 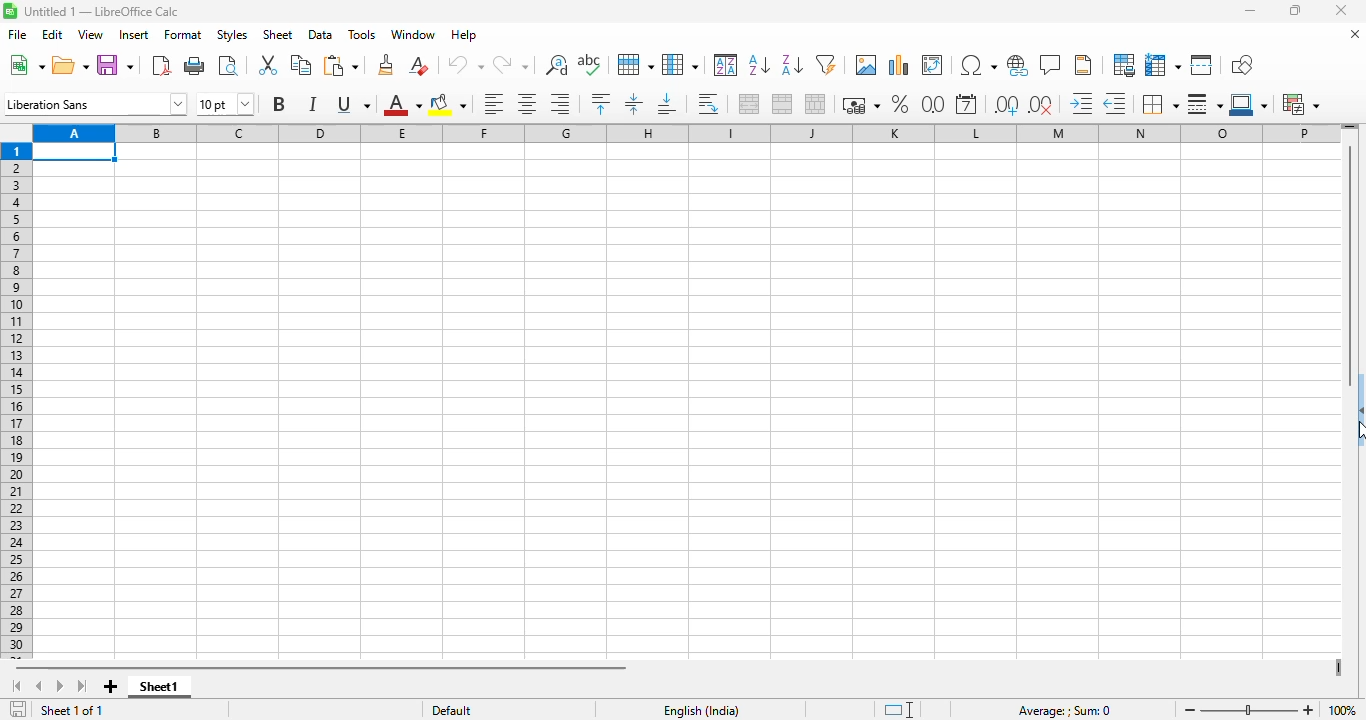 I want to click on close, so click(x=1341, y=10).